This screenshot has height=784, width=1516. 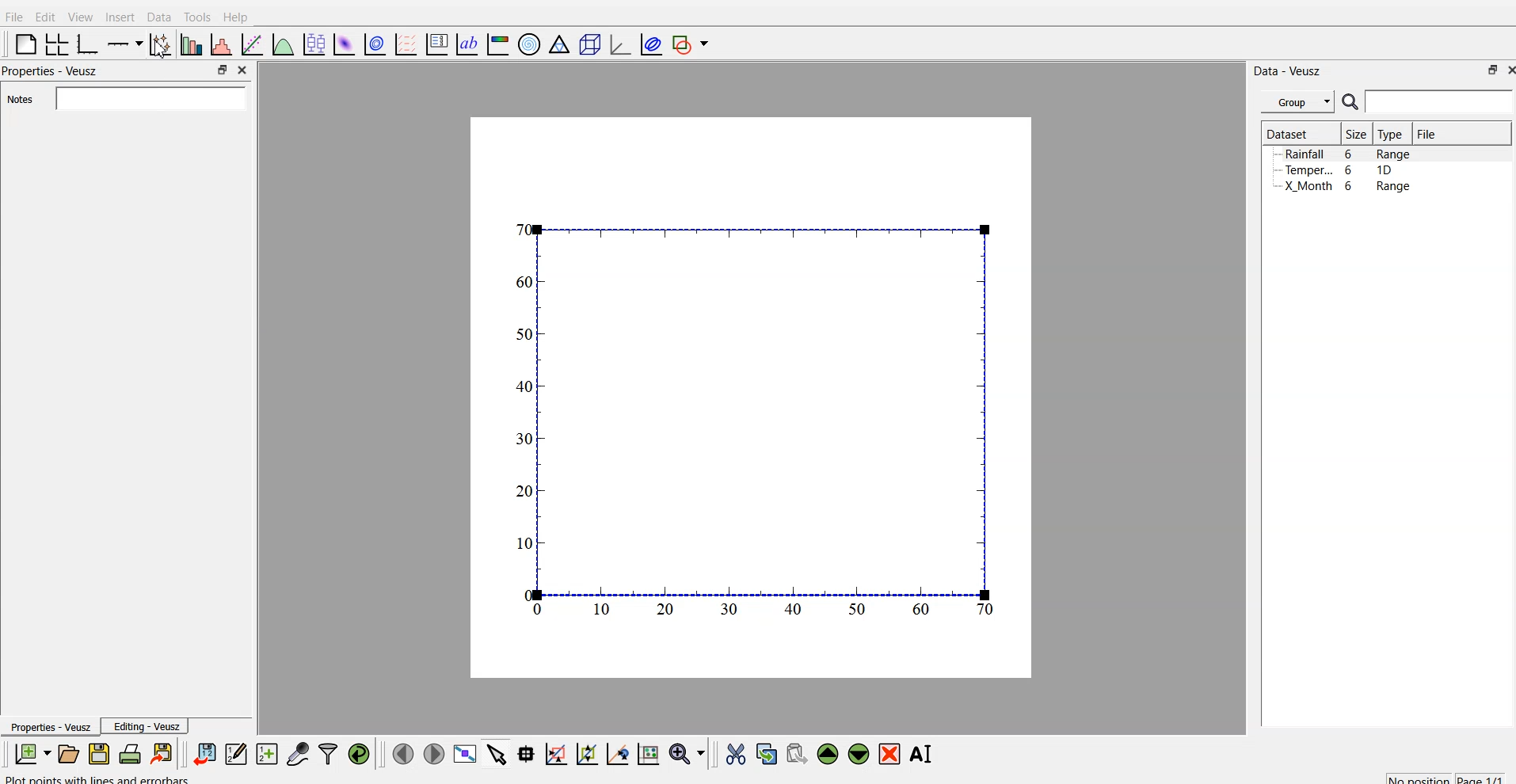 I want to click on search bar, so click(x=1442, y=104).